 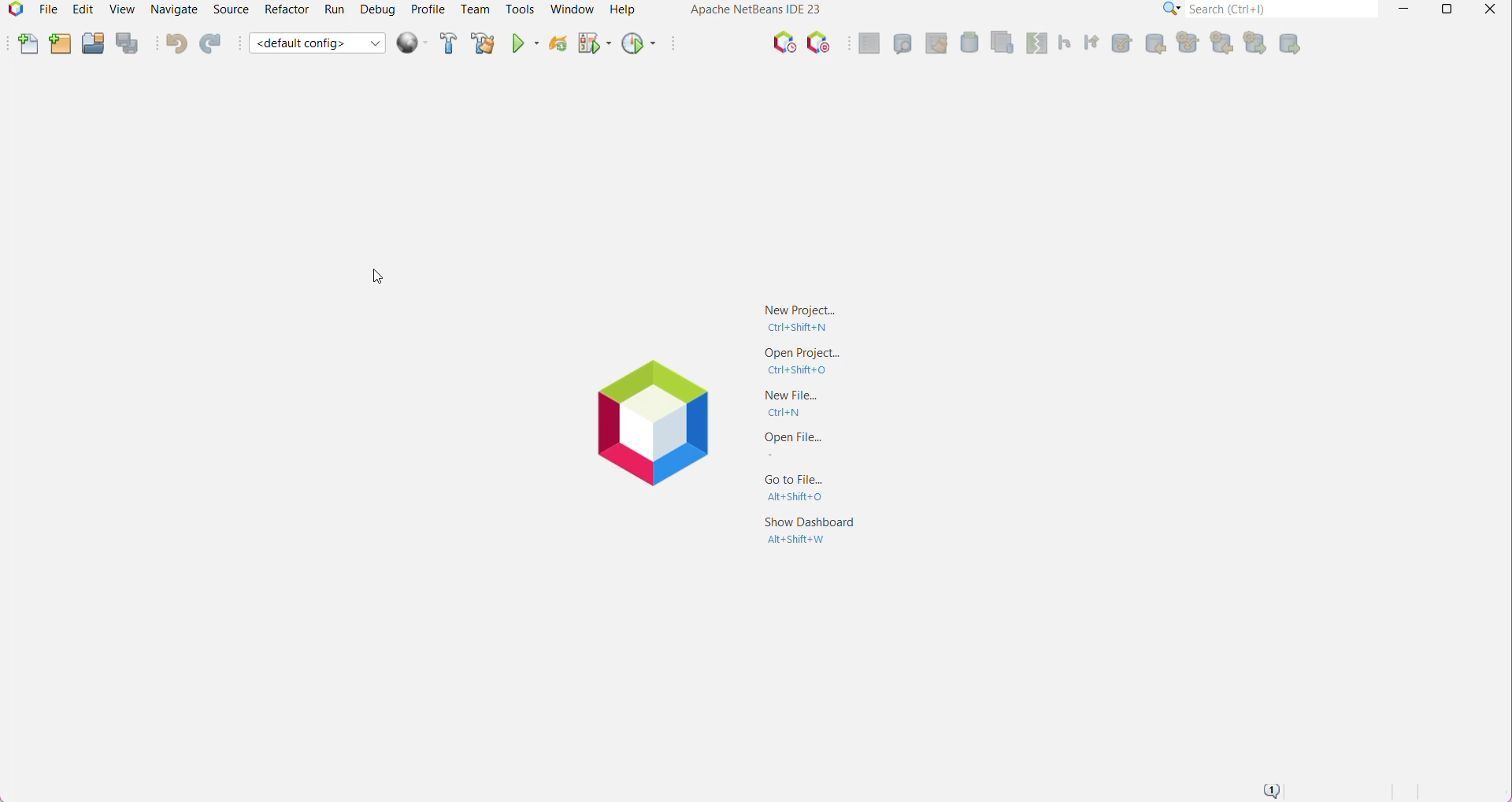 What do you see at coordinates (47, 11) in the screenshot?
I see `File` at bounding box center [47, 11].